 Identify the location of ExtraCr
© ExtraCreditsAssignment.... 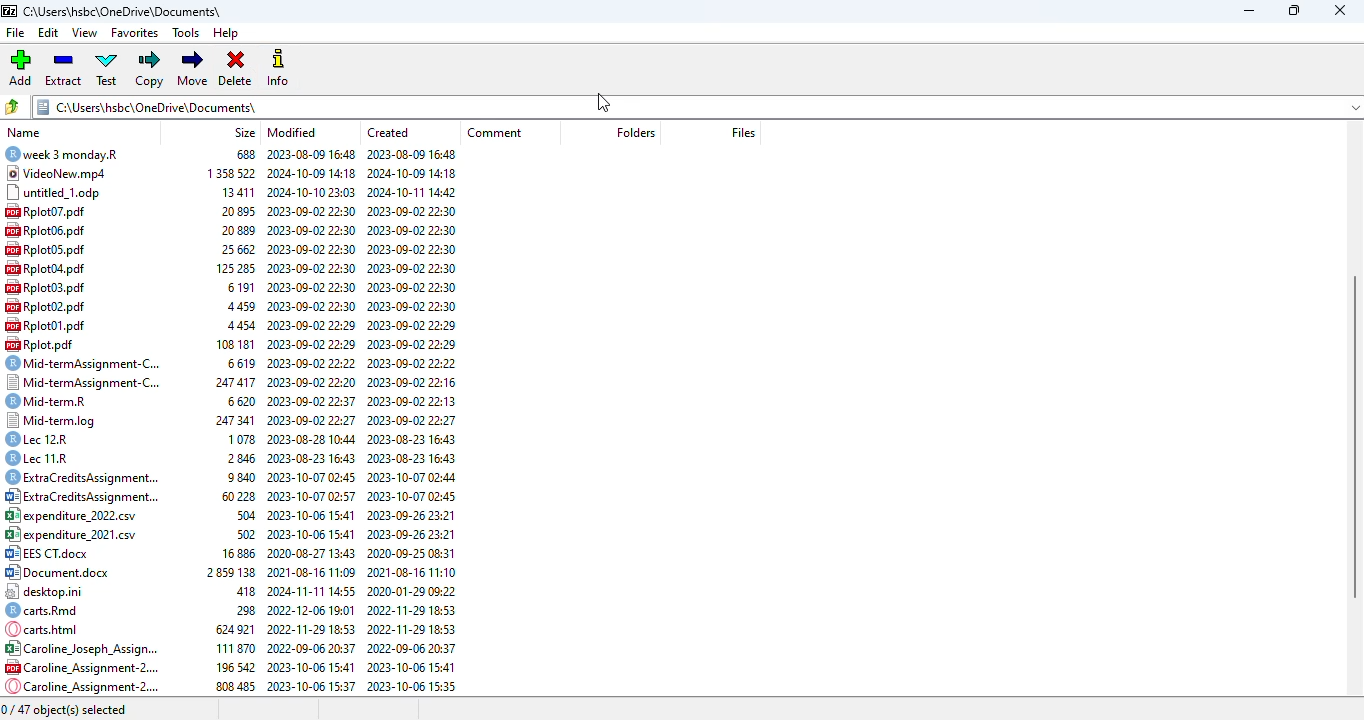
(81, 476).